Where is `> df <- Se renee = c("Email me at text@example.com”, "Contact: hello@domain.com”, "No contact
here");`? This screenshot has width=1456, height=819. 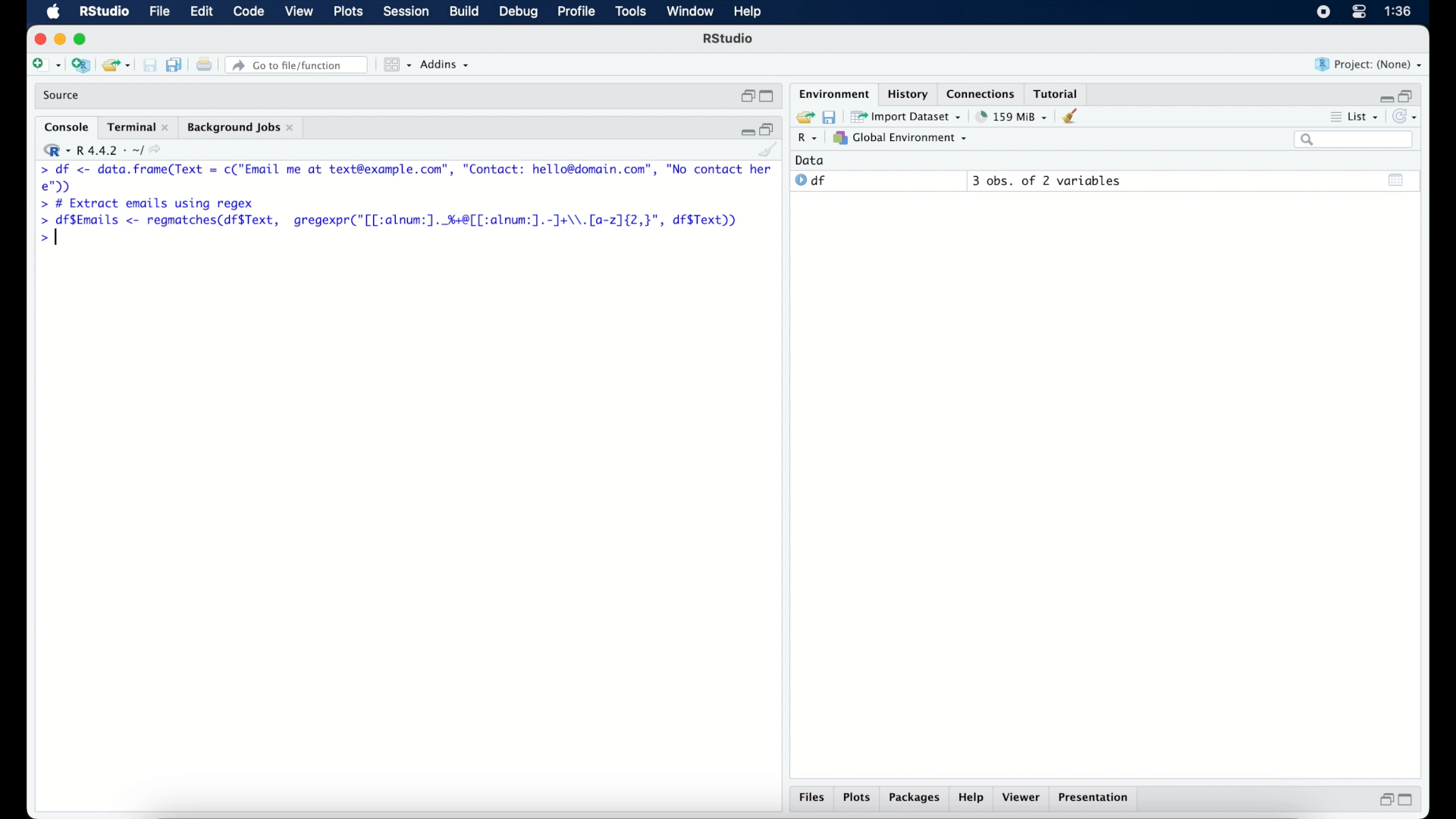
> df <- Se renee = c("Email me at text@example.com”, "Contact: hello@domain.com”, "No contact
here"); is located at coordinates (406, 178).